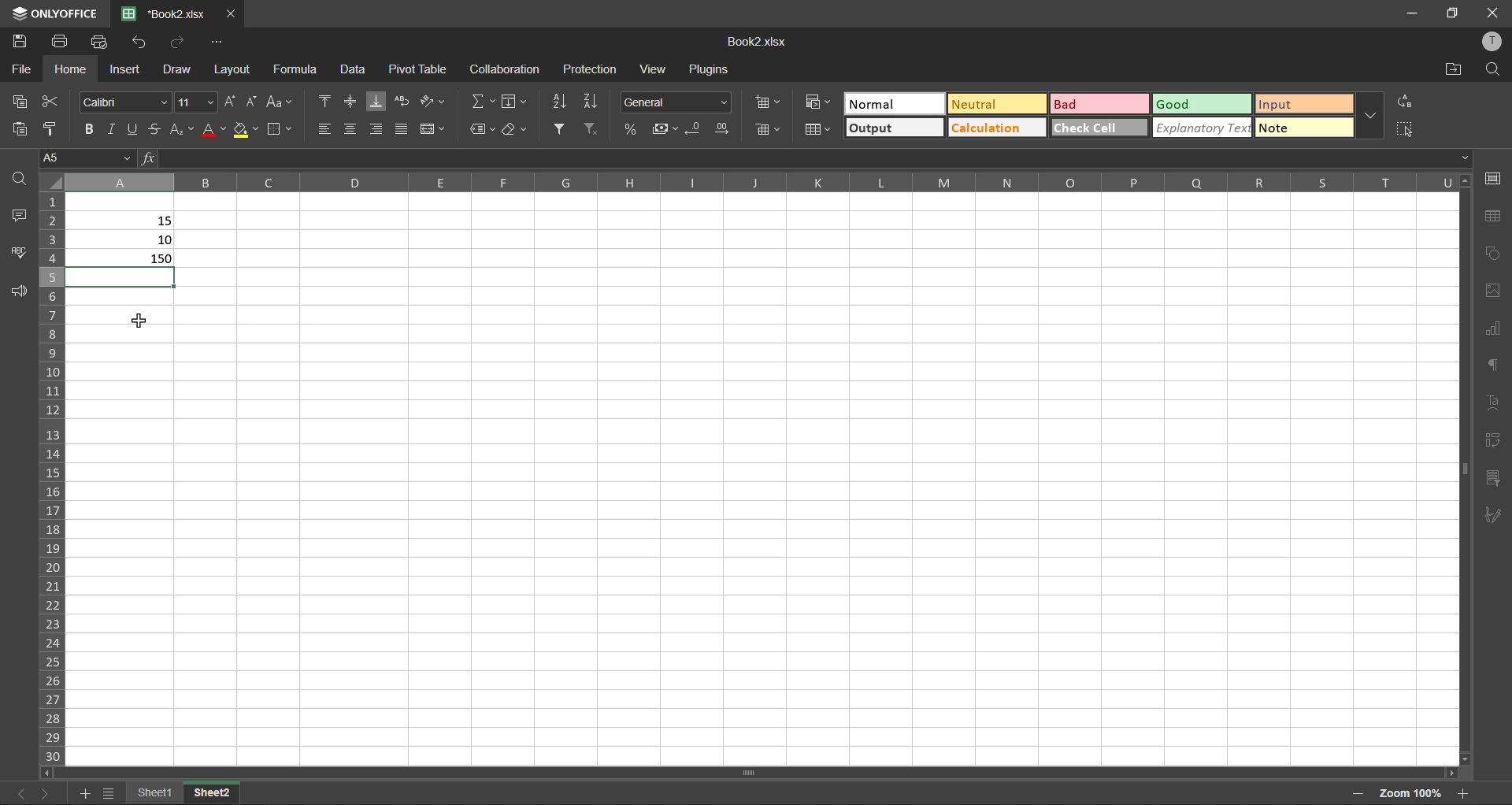 This screenshot has width=1512, height=805. What do you see at coordinates (764, 181) in the screenshot?
I see `column names in alphabets` at bounding box center [764, 181].